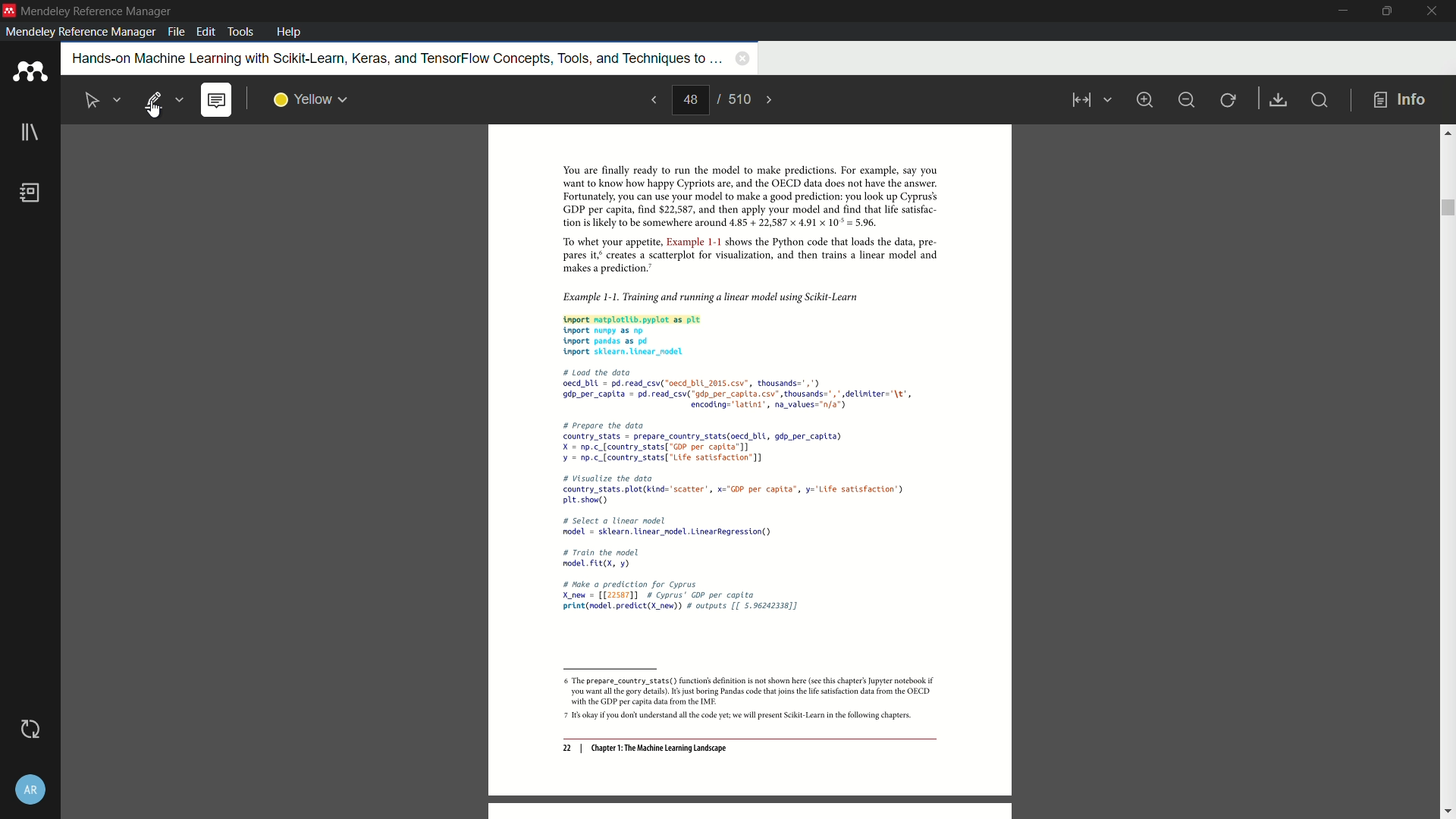  What do you see at coordinates (1433, 11) in the screenshot?
I see `close` at bounding box center [1433, 11].